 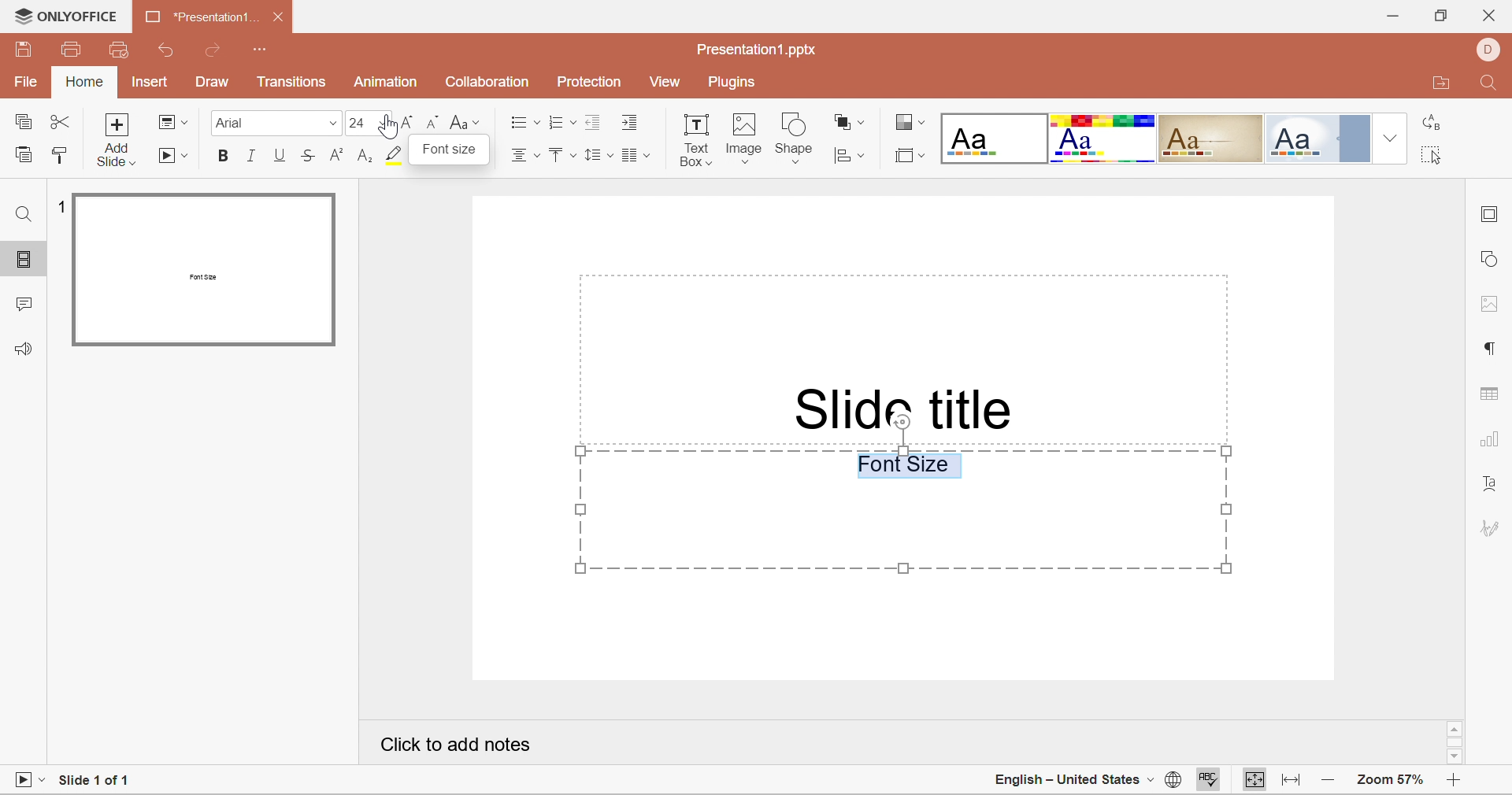 I want to click on Redo, so click(x=217, y=50).